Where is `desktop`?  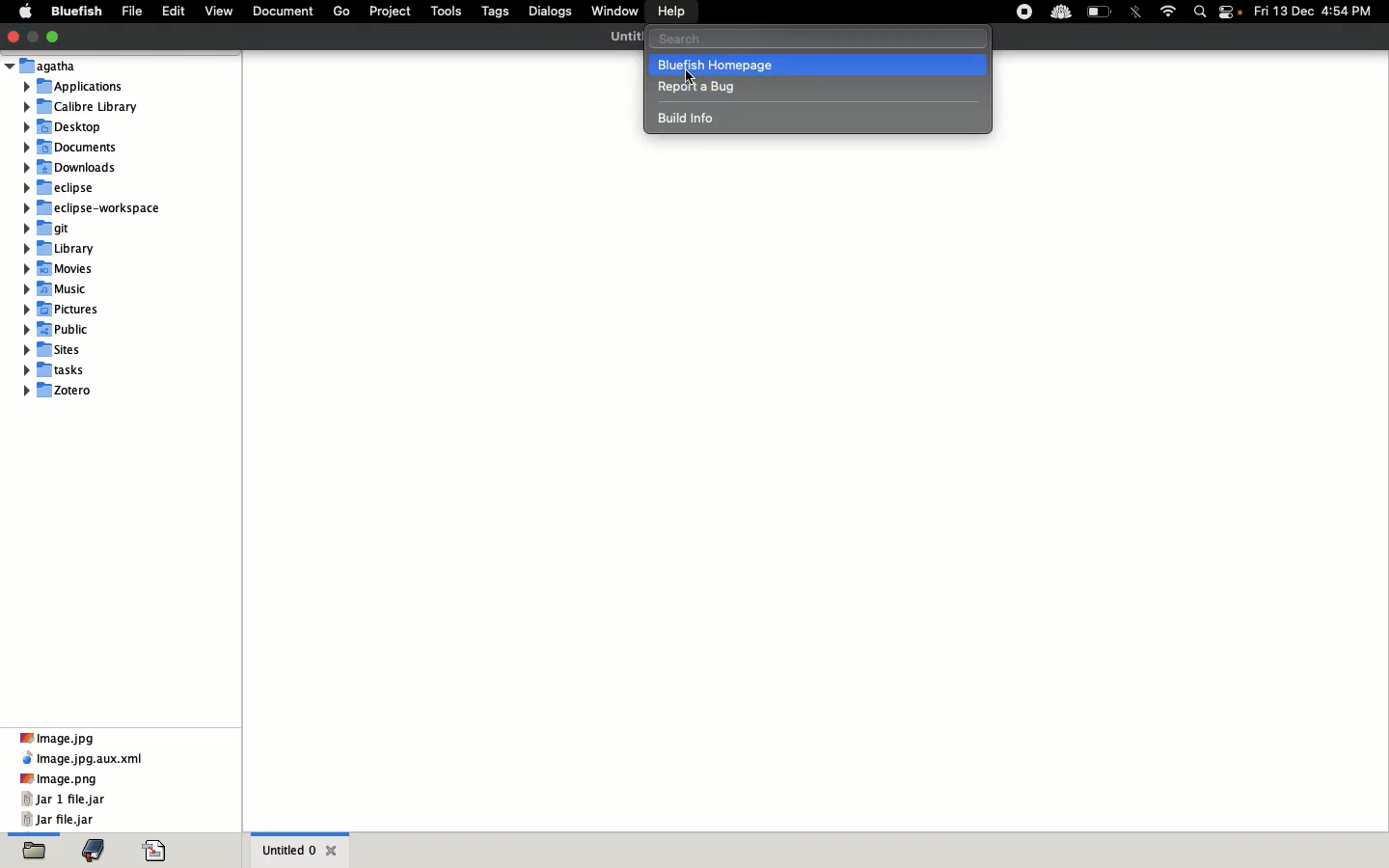
desktop is located at coordinates (76, 129).